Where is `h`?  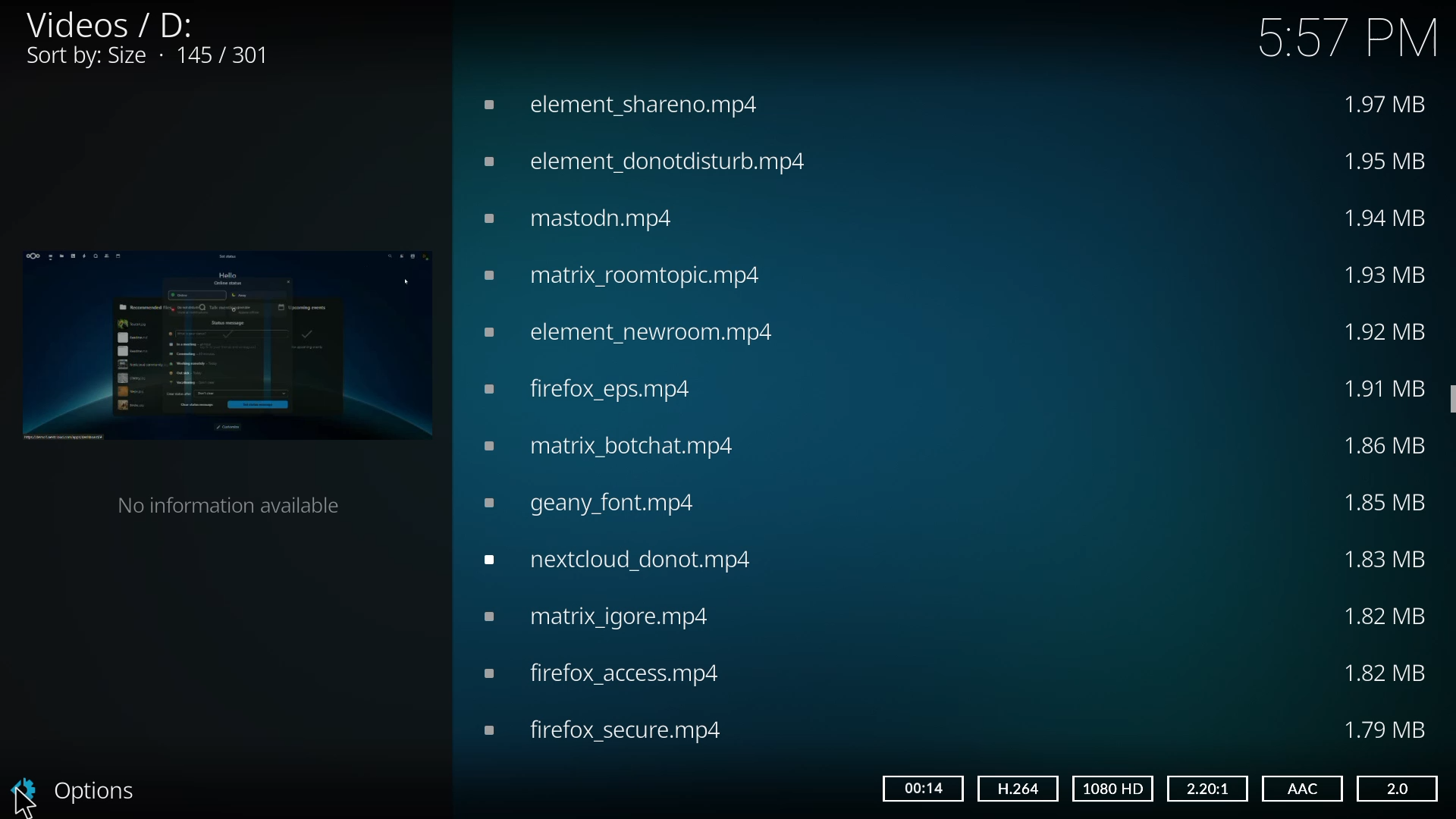
h is located at coordinates (1016, 787).